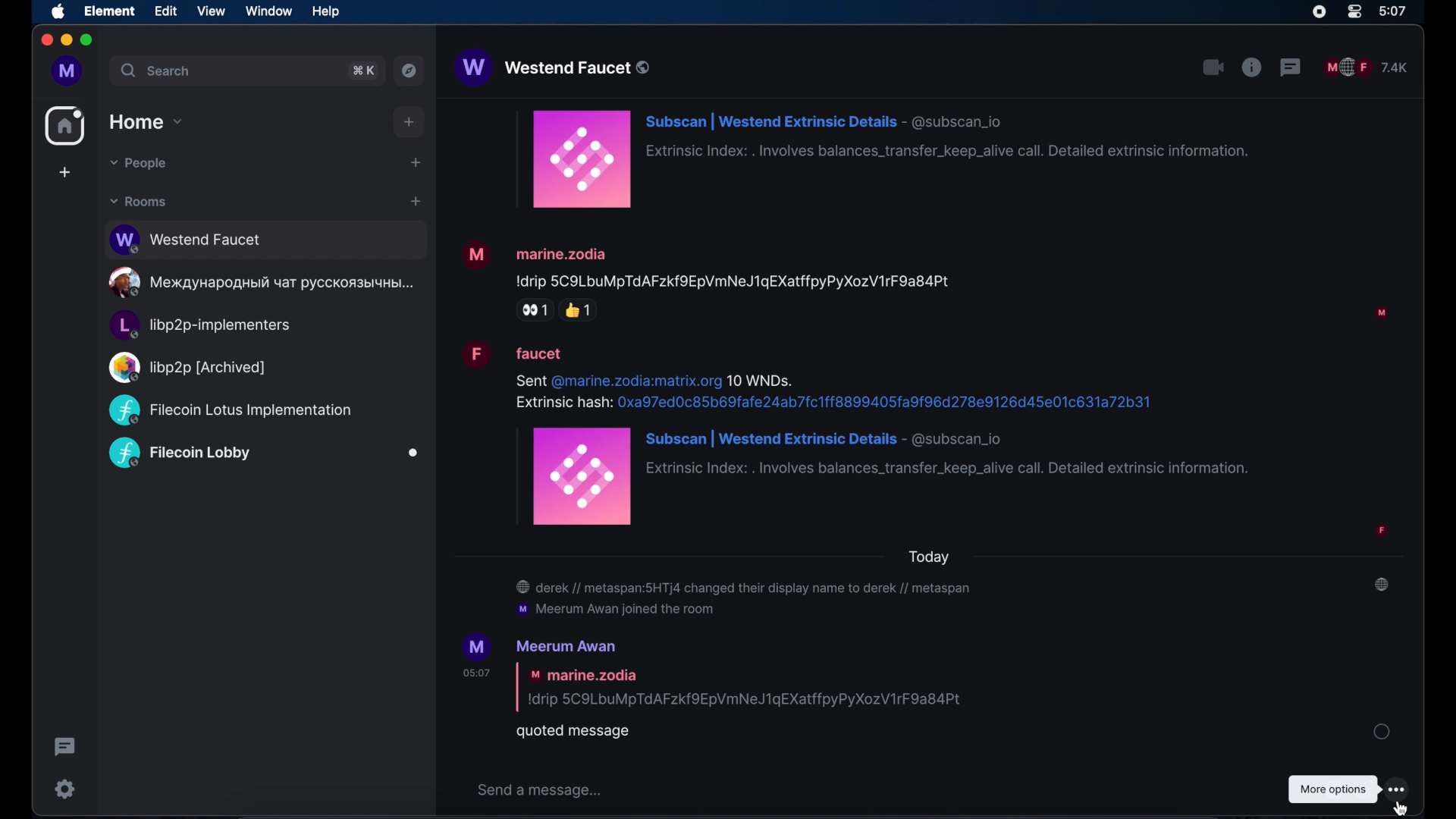  I want to click on more options, so click(1398, 789).